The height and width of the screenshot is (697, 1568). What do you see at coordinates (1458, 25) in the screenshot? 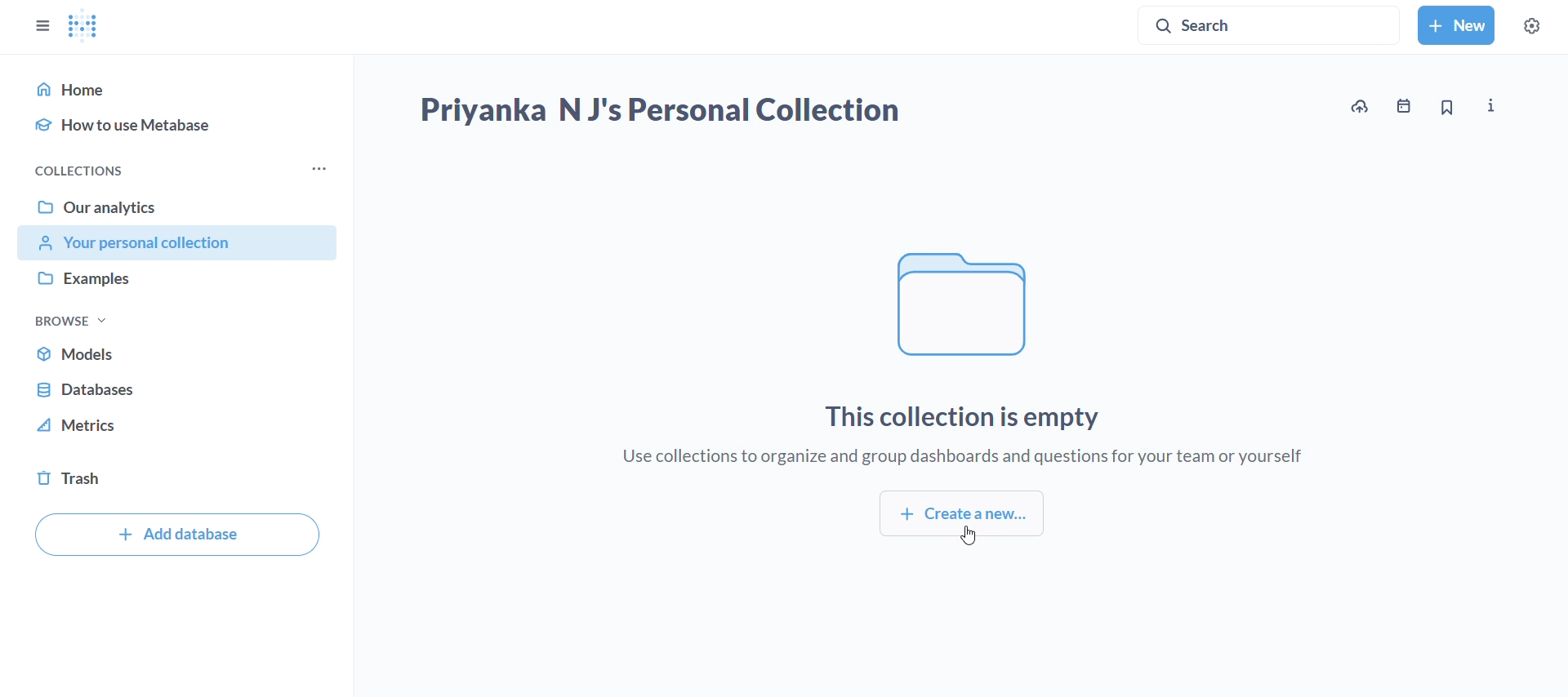
I see `new collection` at bounding box center [1458, 25].